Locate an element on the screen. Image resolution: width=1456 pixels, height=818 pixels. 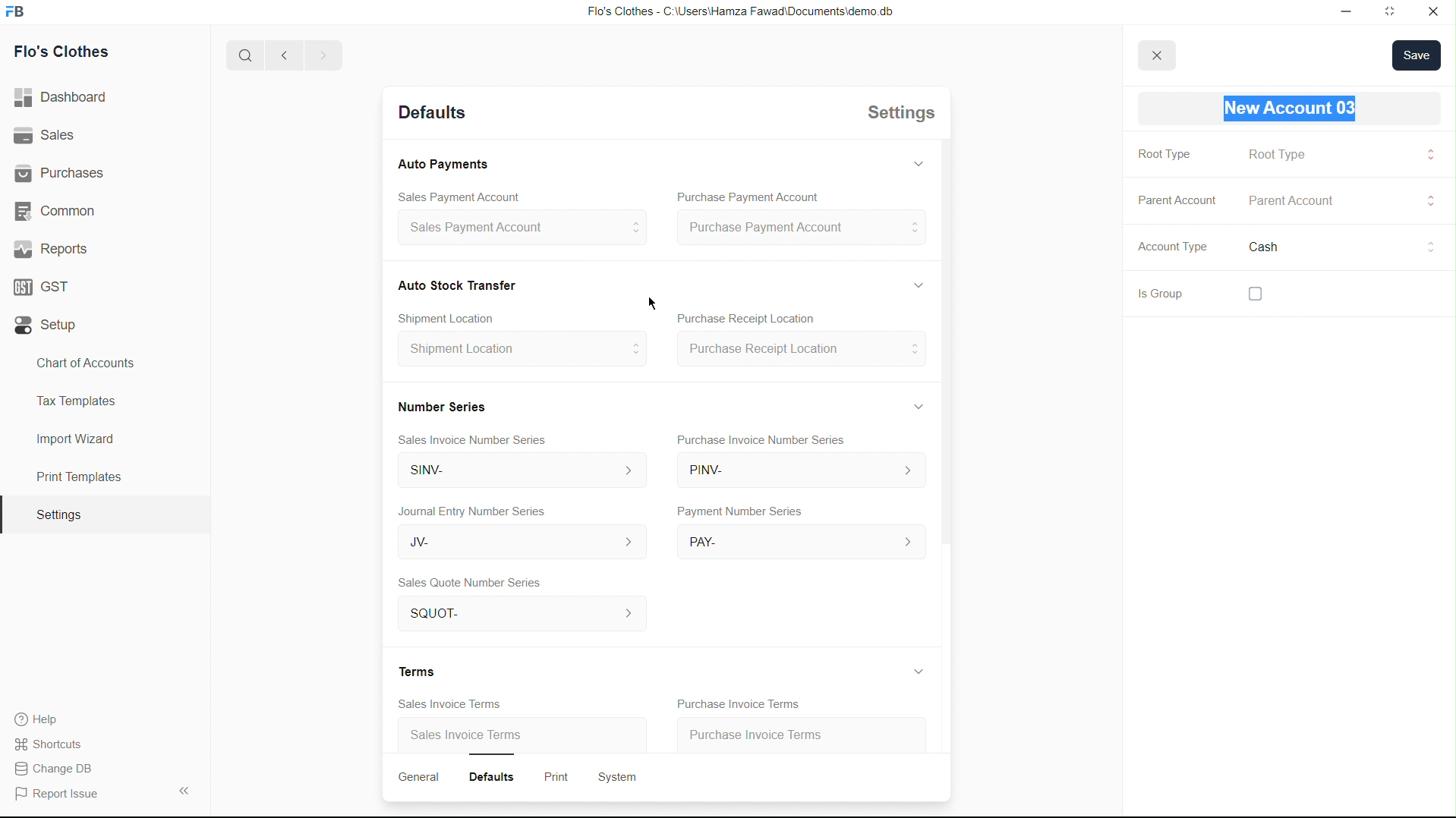
Number Series is located at coordinates (440, 404).